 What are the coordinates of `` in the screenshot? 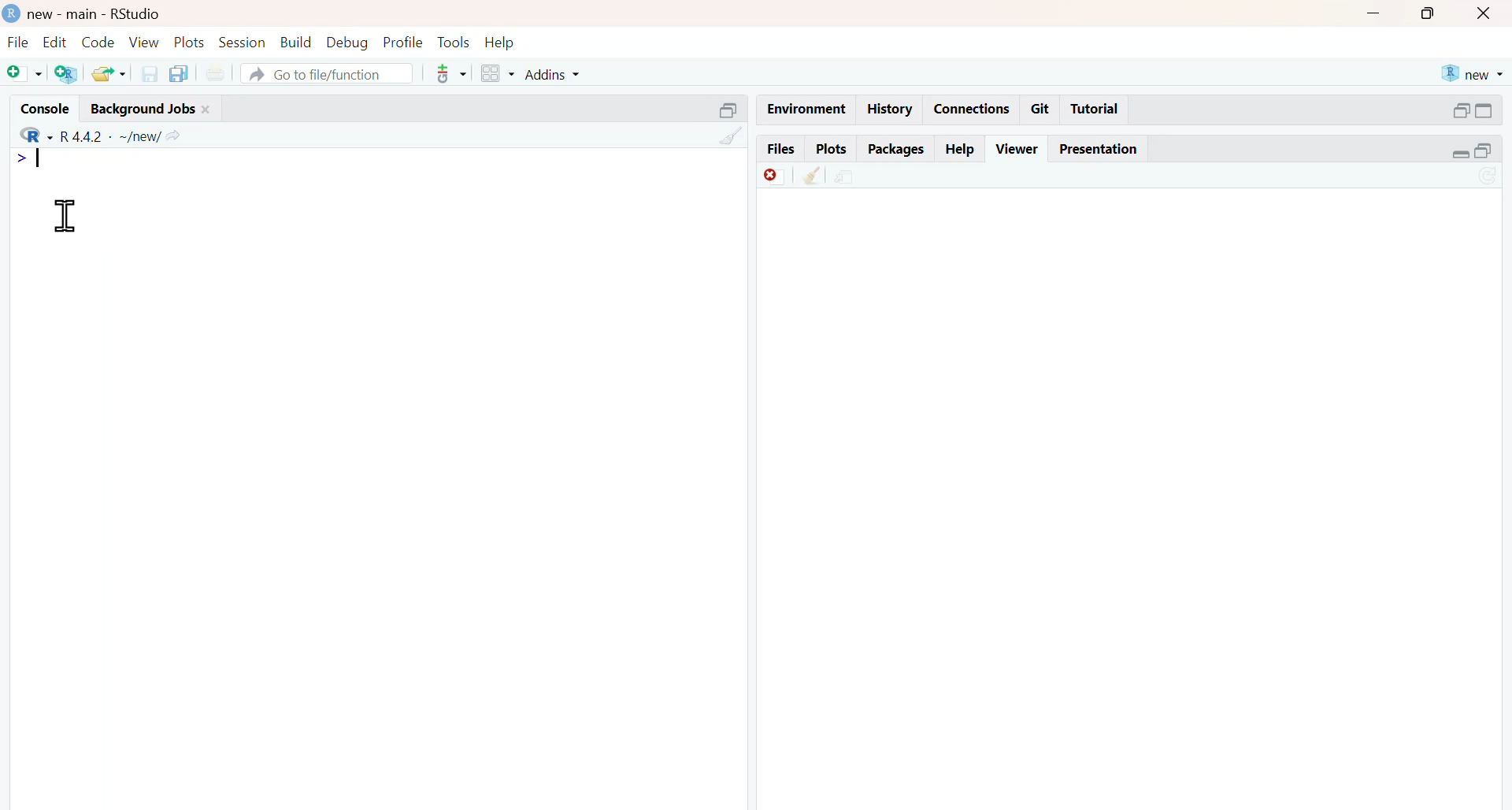 It's located at (730, 111).